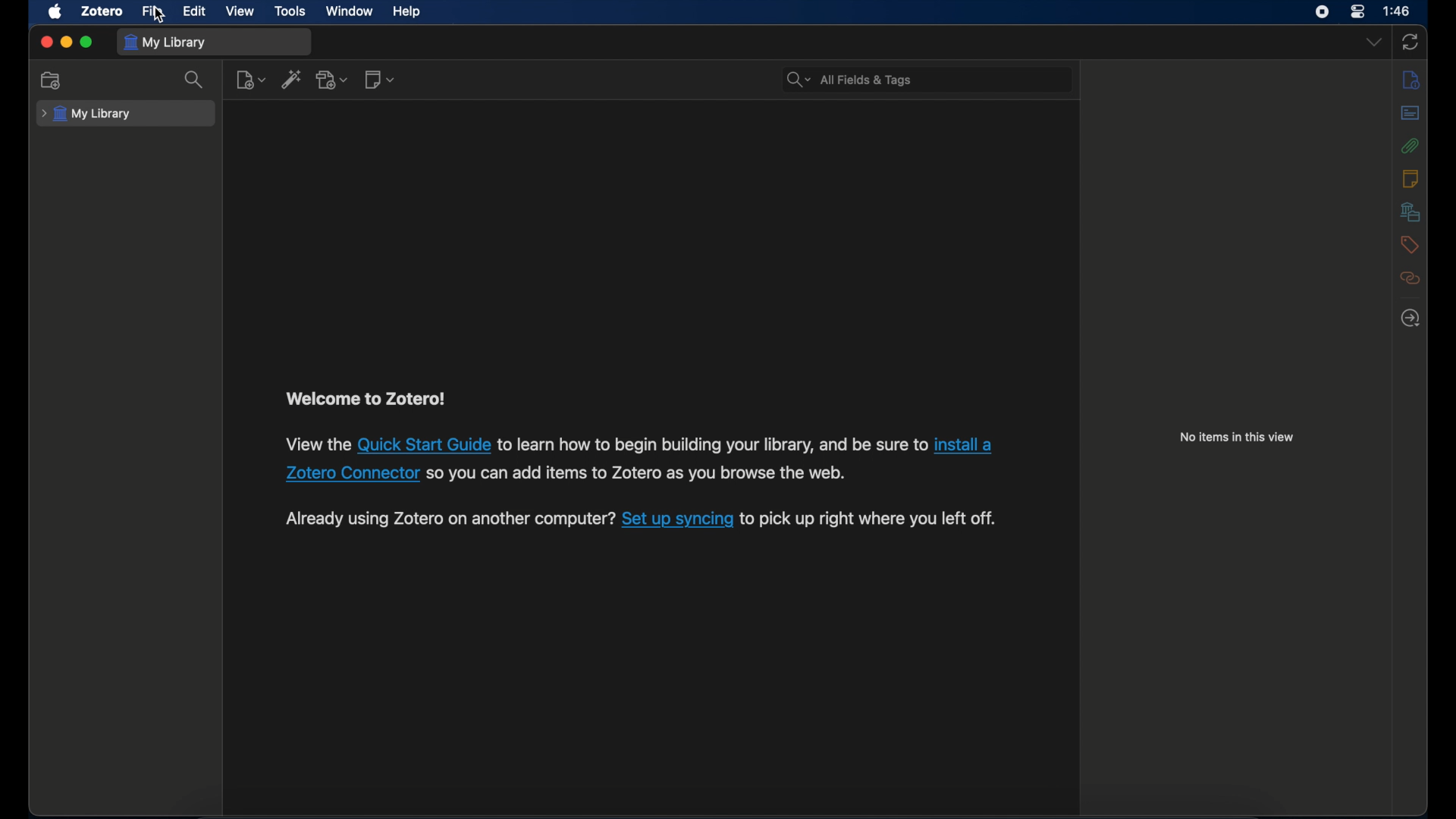  Describe the element at coordinates (165, 42) in the screenshot. I see `my library` at that location.